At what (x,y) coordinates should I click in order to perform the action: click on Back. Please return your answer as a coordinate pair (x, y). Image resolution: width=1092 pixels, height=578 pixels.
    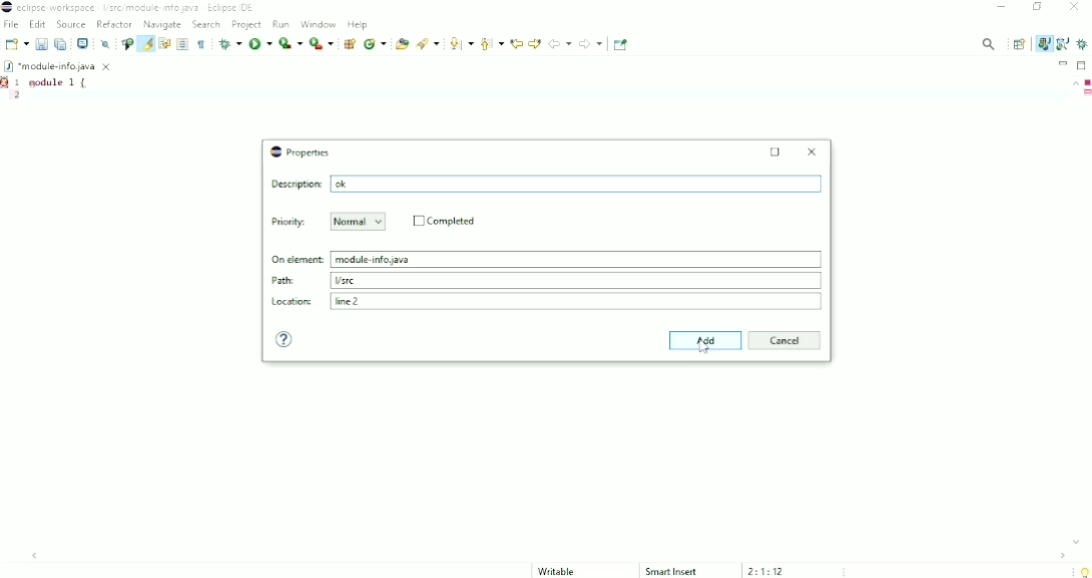
    Looking at the image, I should click on (560, 43).